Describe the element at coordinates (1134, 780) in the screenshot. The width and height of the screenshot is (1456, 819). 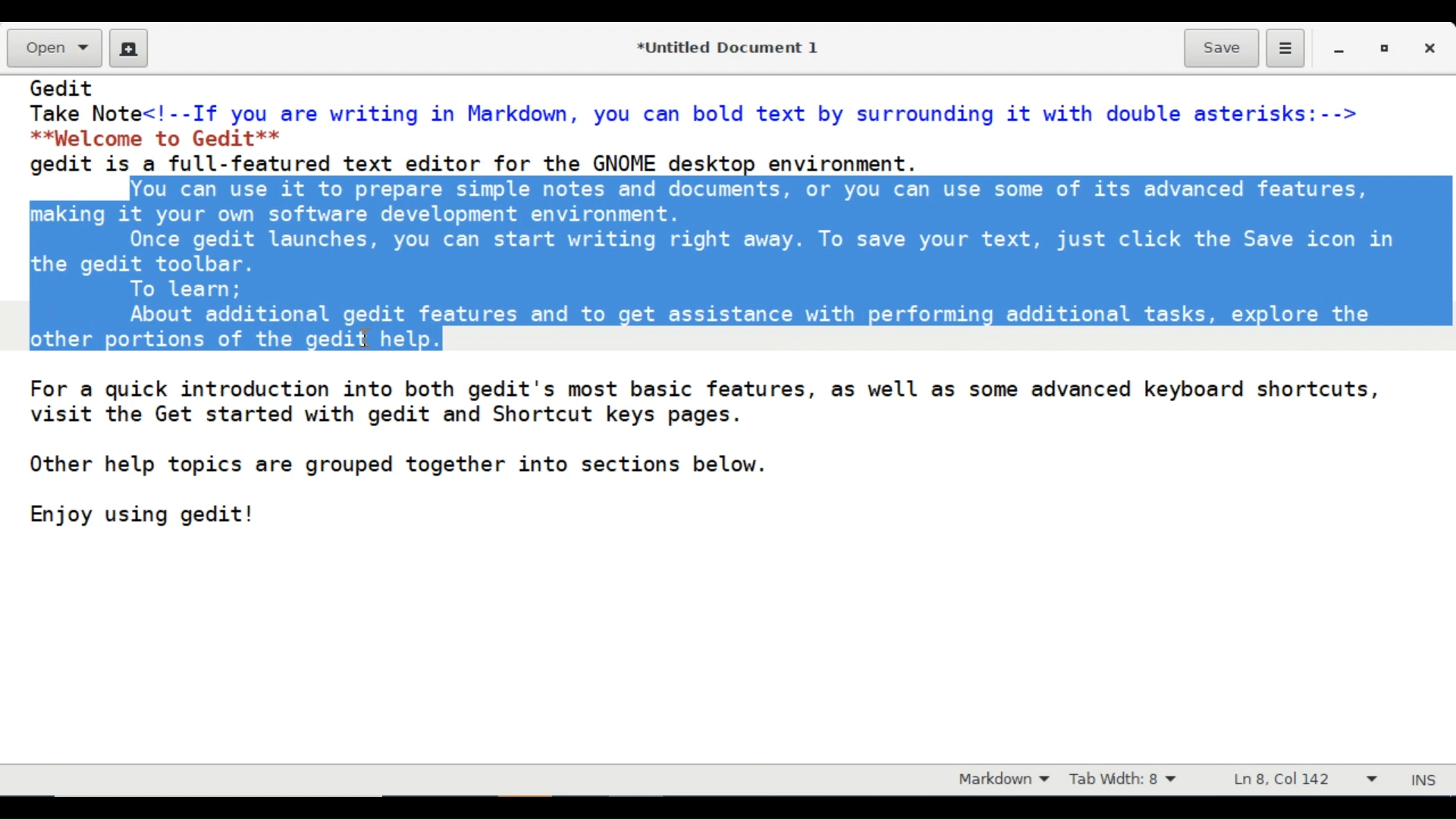
I see `Tab Width` at that location.